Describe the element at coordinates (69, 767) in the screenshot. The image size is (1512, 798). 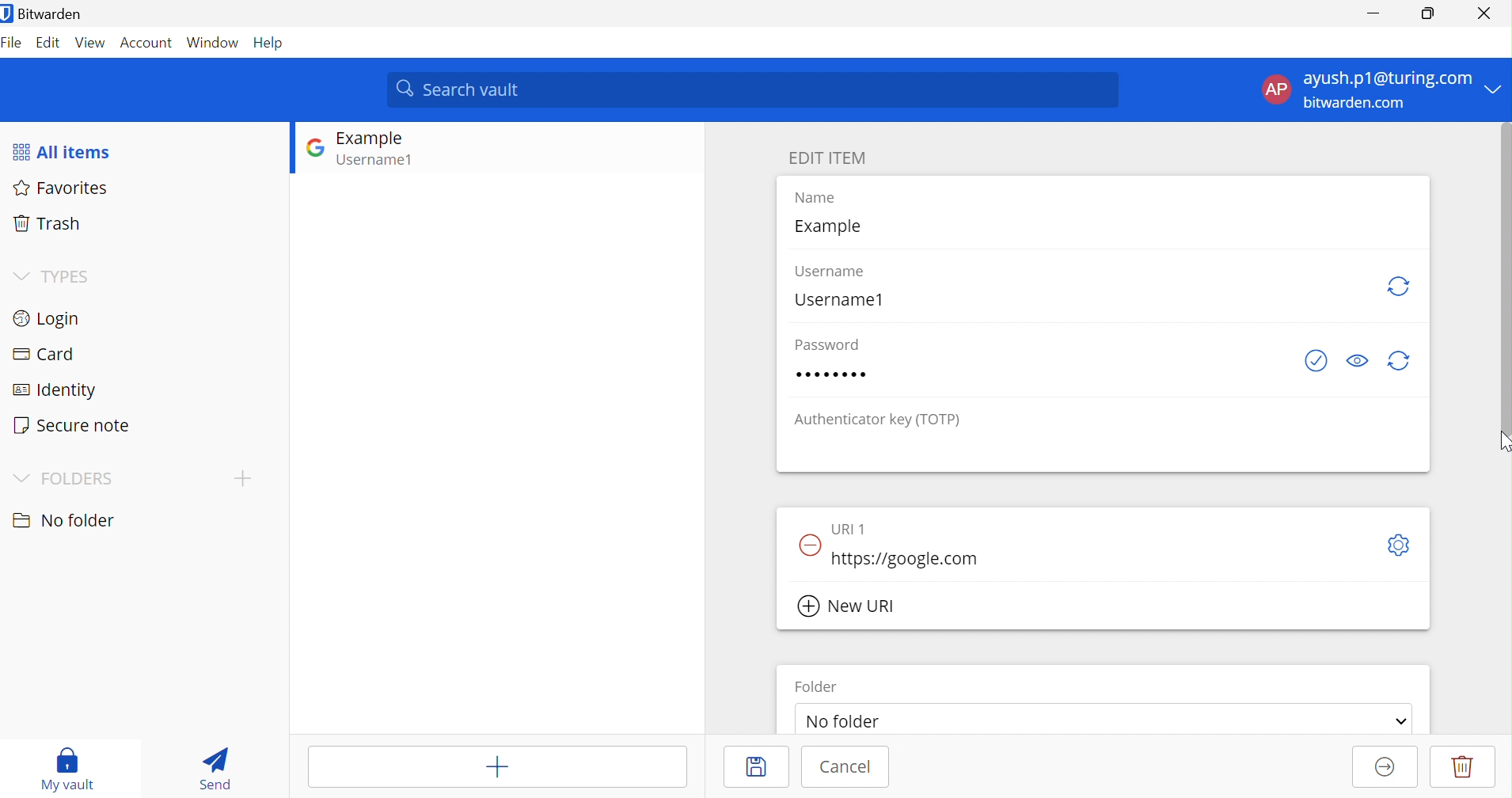
I see `My vault` at that location.